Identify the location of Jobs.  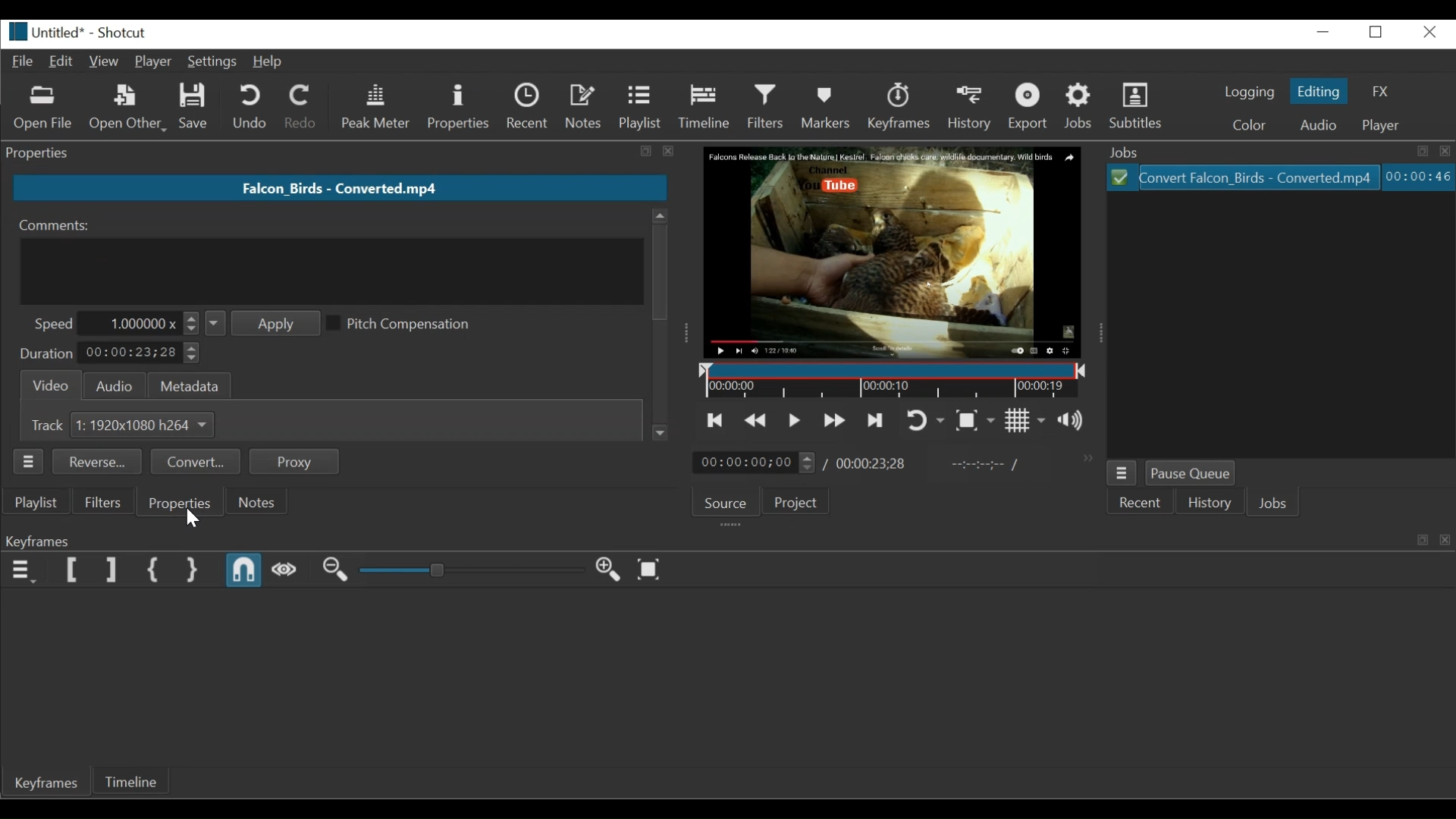
(1273, 504).